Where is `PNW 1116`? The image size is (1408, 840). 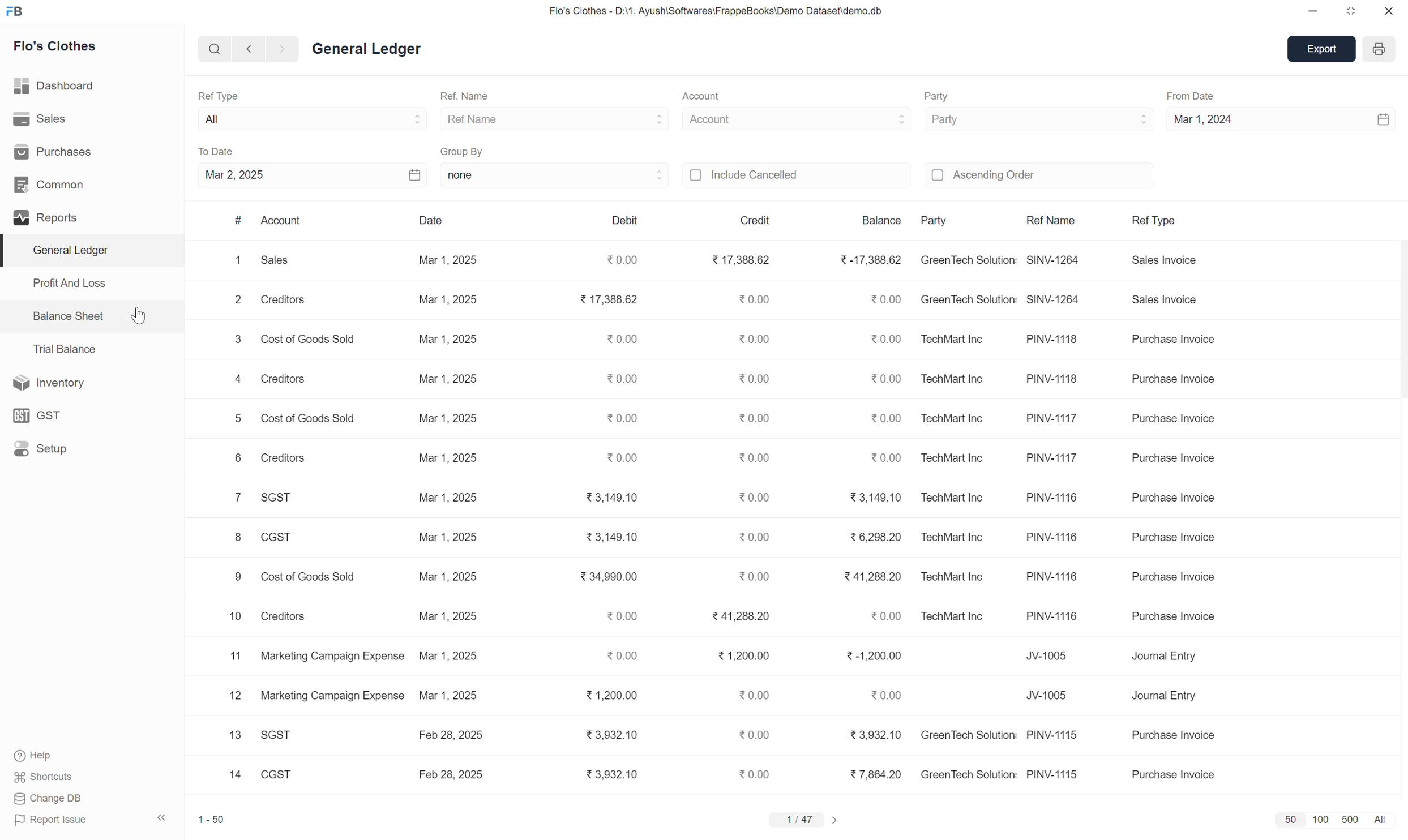
PNW 1116 is located at coordinates (1047, 616).